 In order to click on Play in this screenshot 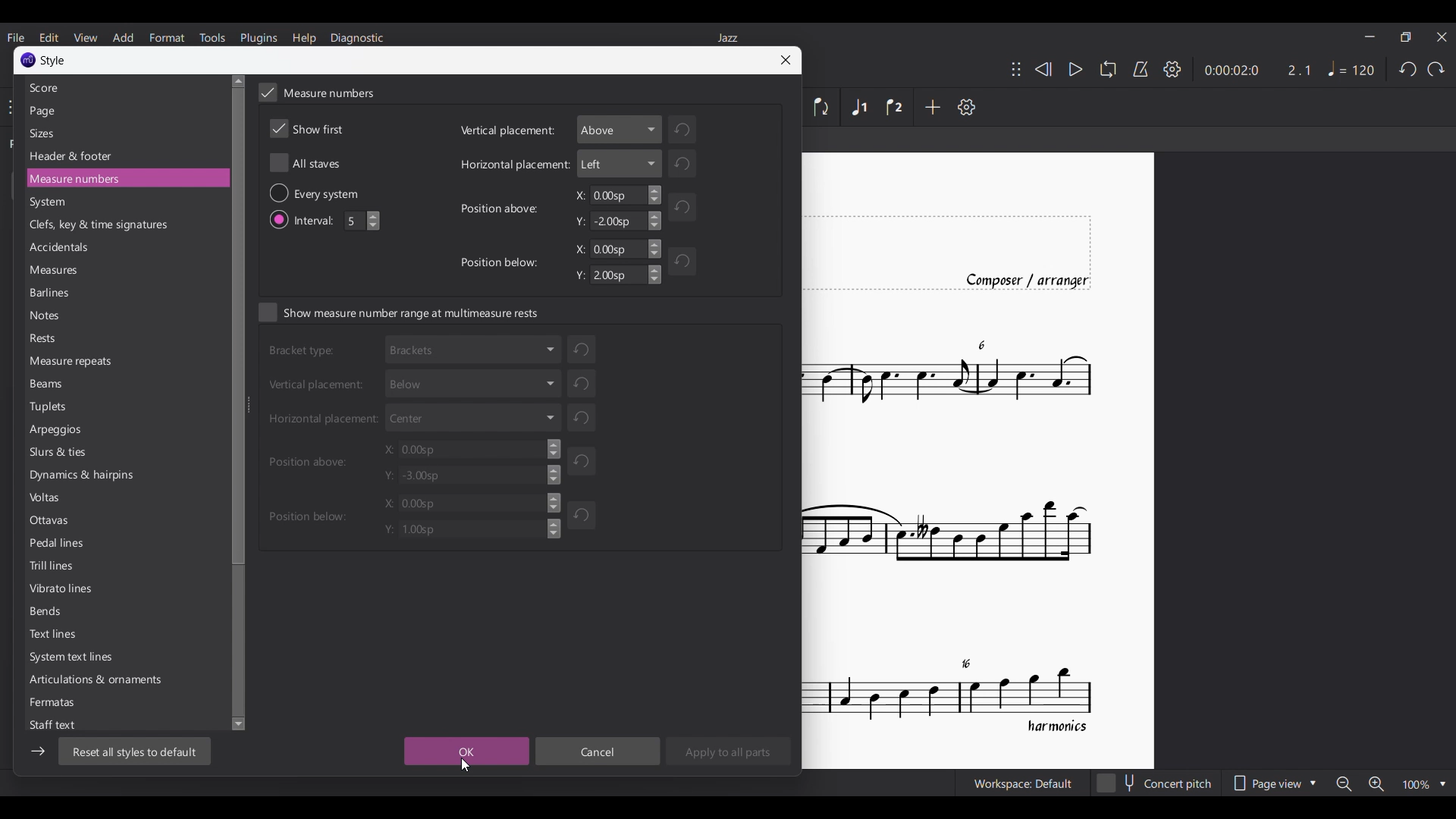, I will do `click(1076, 70)`.